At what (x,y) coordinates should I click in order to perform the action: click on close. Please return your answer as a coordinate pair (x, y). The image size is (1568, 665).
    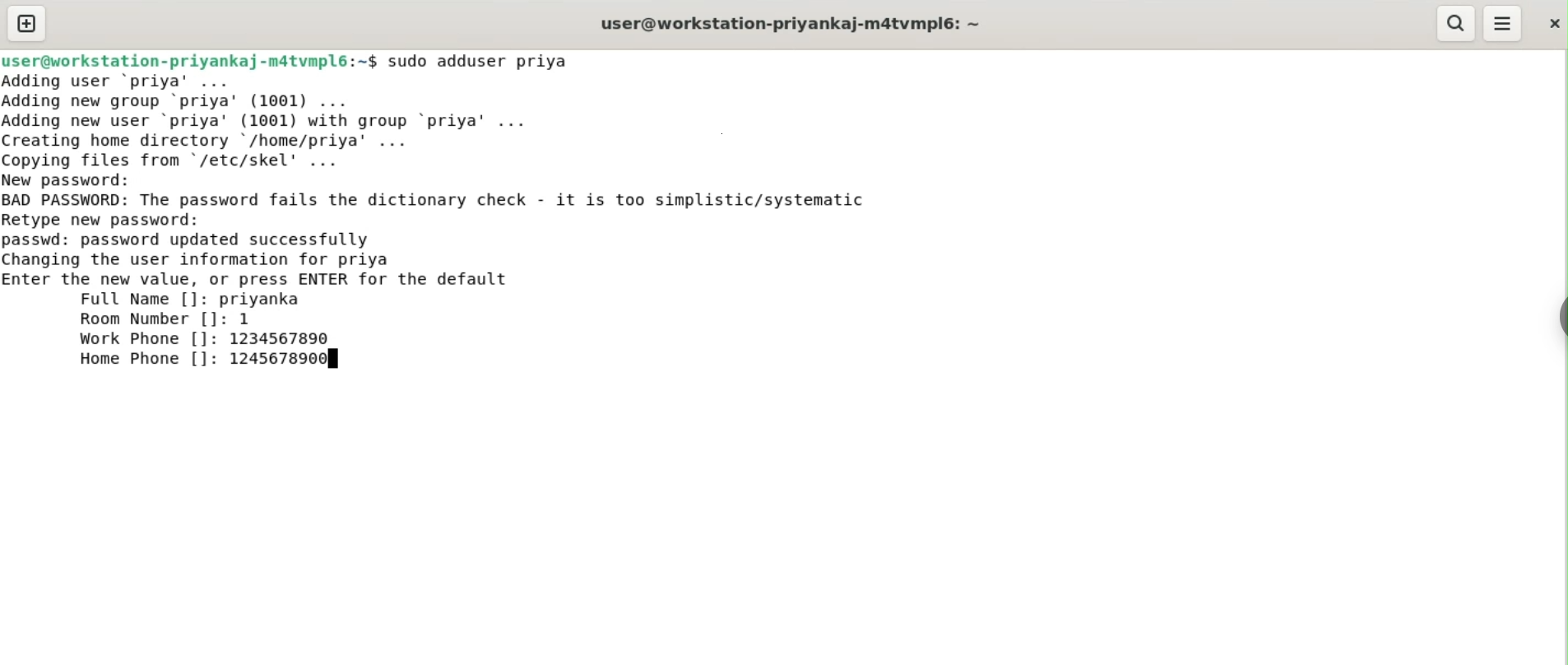
    Looking at the image, I should click on (1552, 23).